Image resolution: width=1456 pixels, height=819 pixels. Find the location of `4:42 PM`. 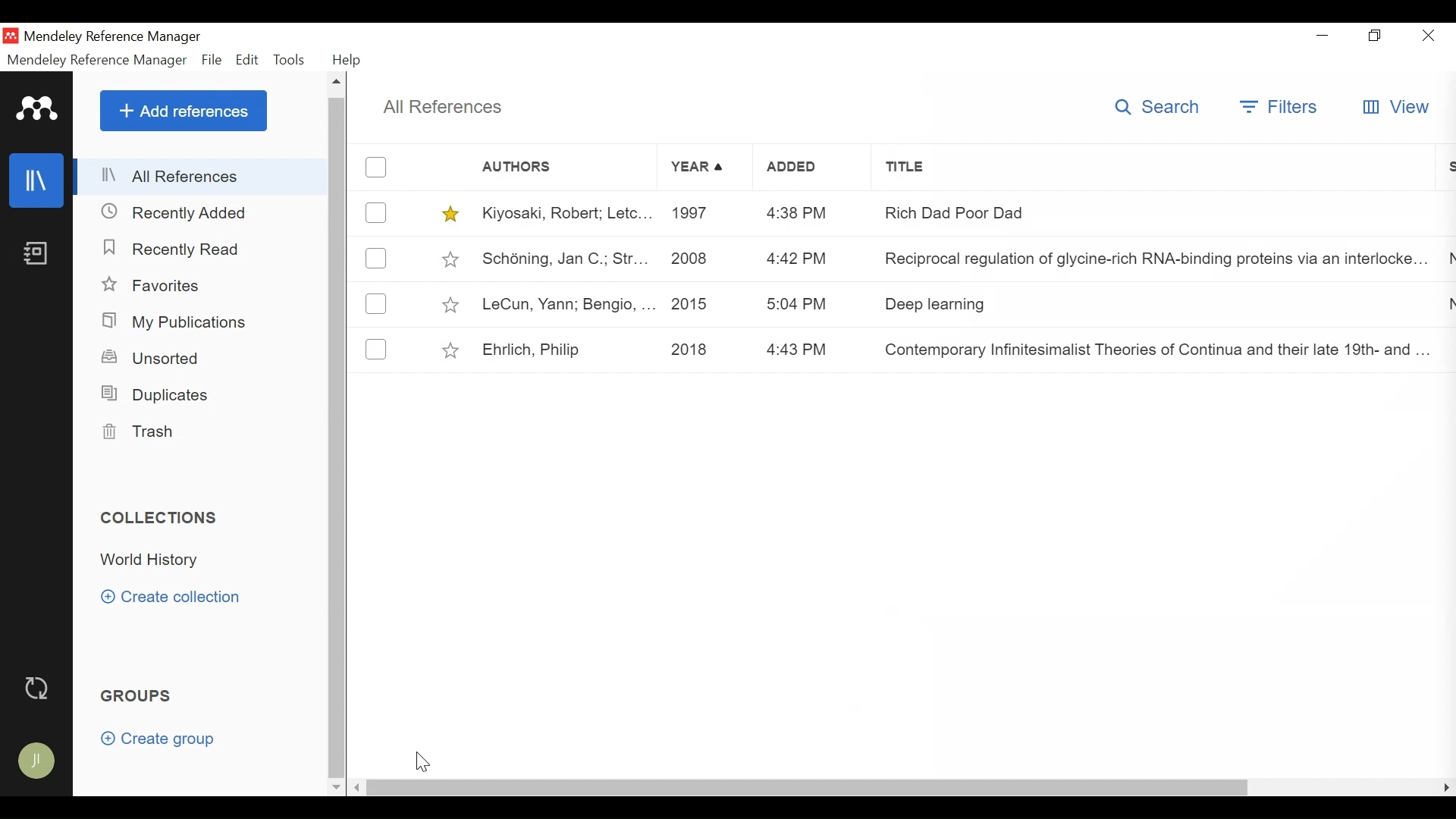

4:42 PM is located at coordinates (808, 259).